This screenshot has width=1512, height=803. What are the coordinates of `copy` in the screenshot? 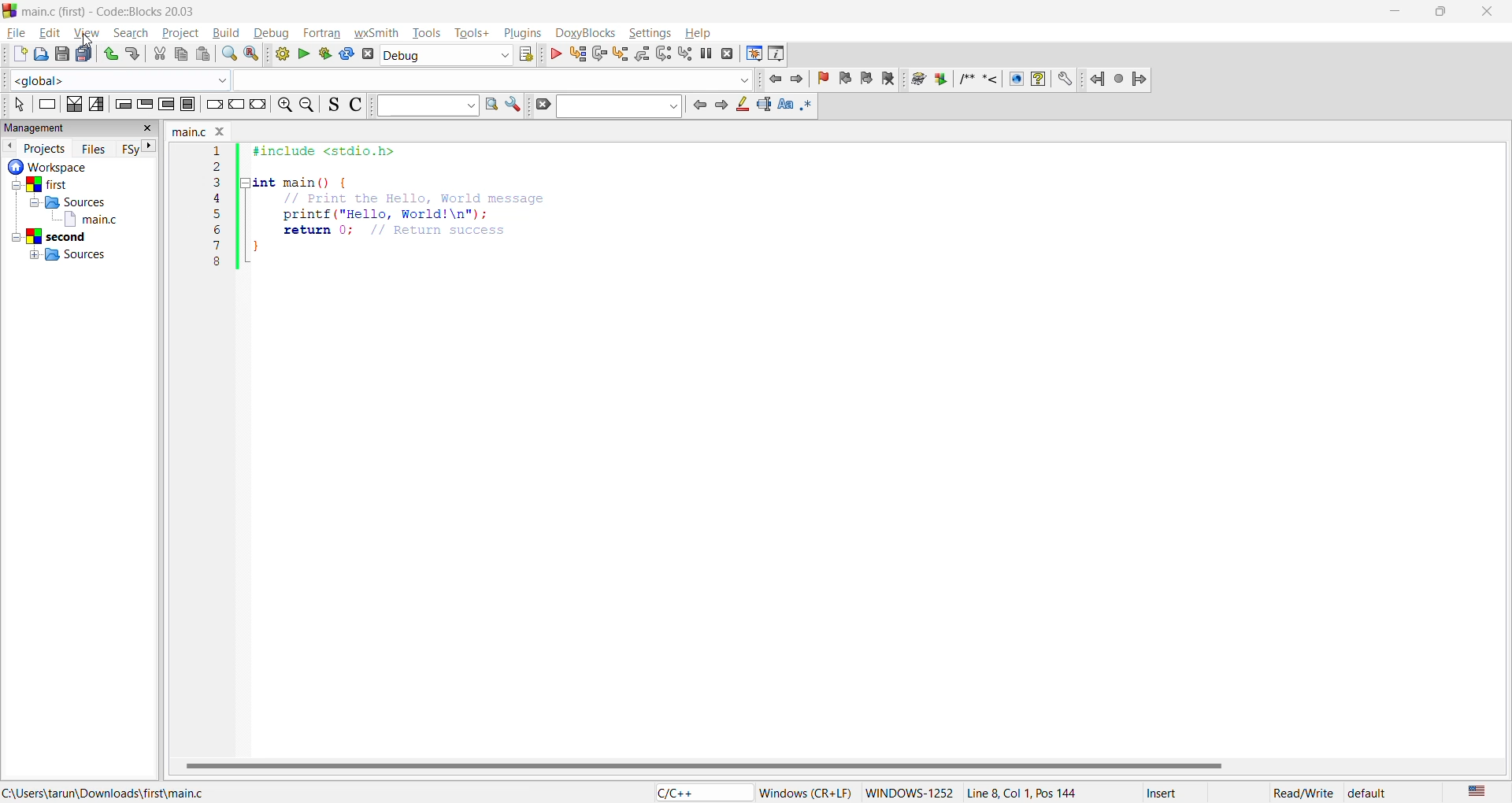 It's located at (180, 54).